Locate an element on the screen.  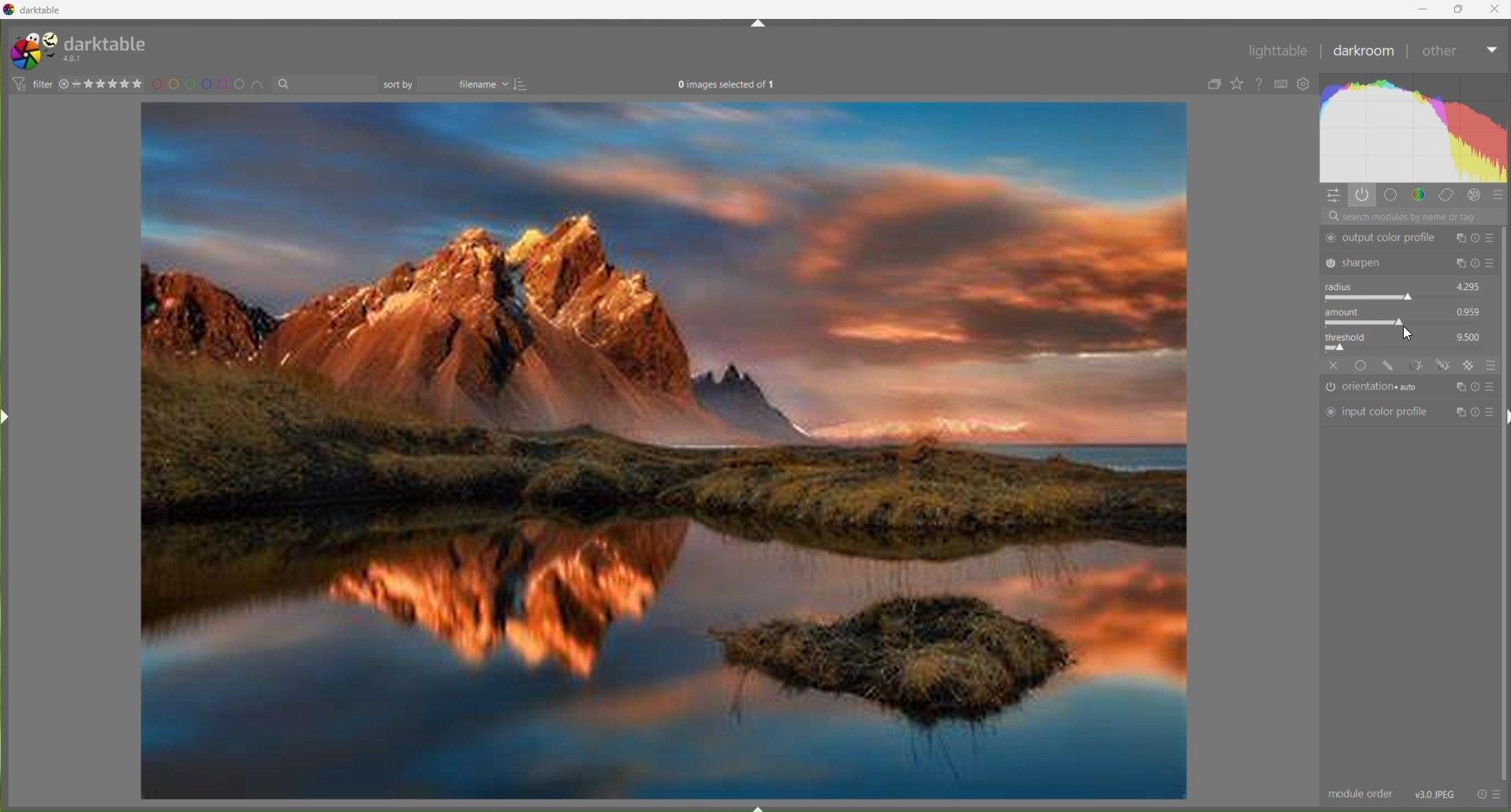
version is located at coordinates (75, 59).